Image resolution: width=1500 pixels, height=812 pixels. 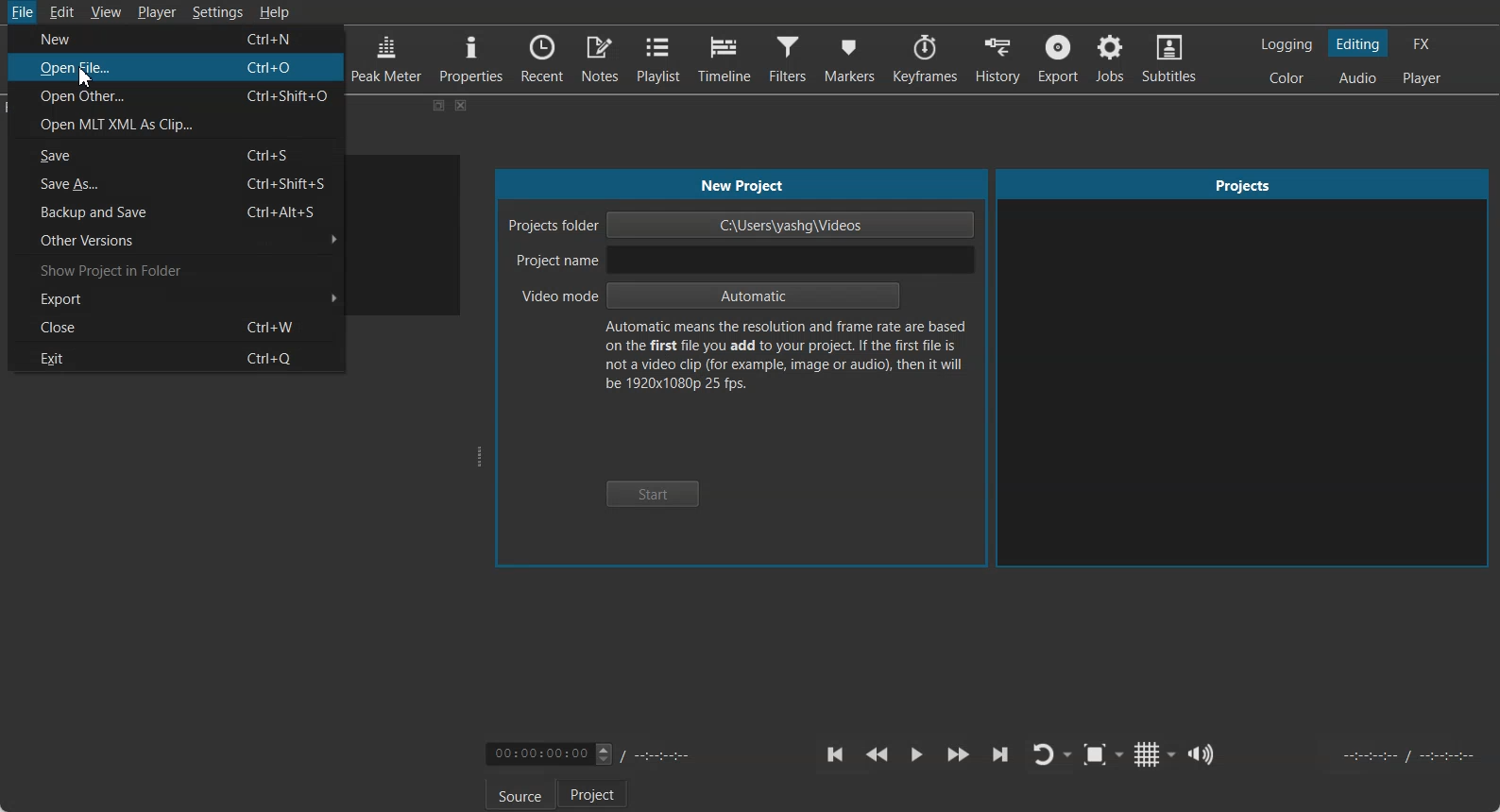 What do you see at coordinates (1359, 78) in the screenshot?
I see `Switching to the Audio layout` at bounding box center [1359, 78].